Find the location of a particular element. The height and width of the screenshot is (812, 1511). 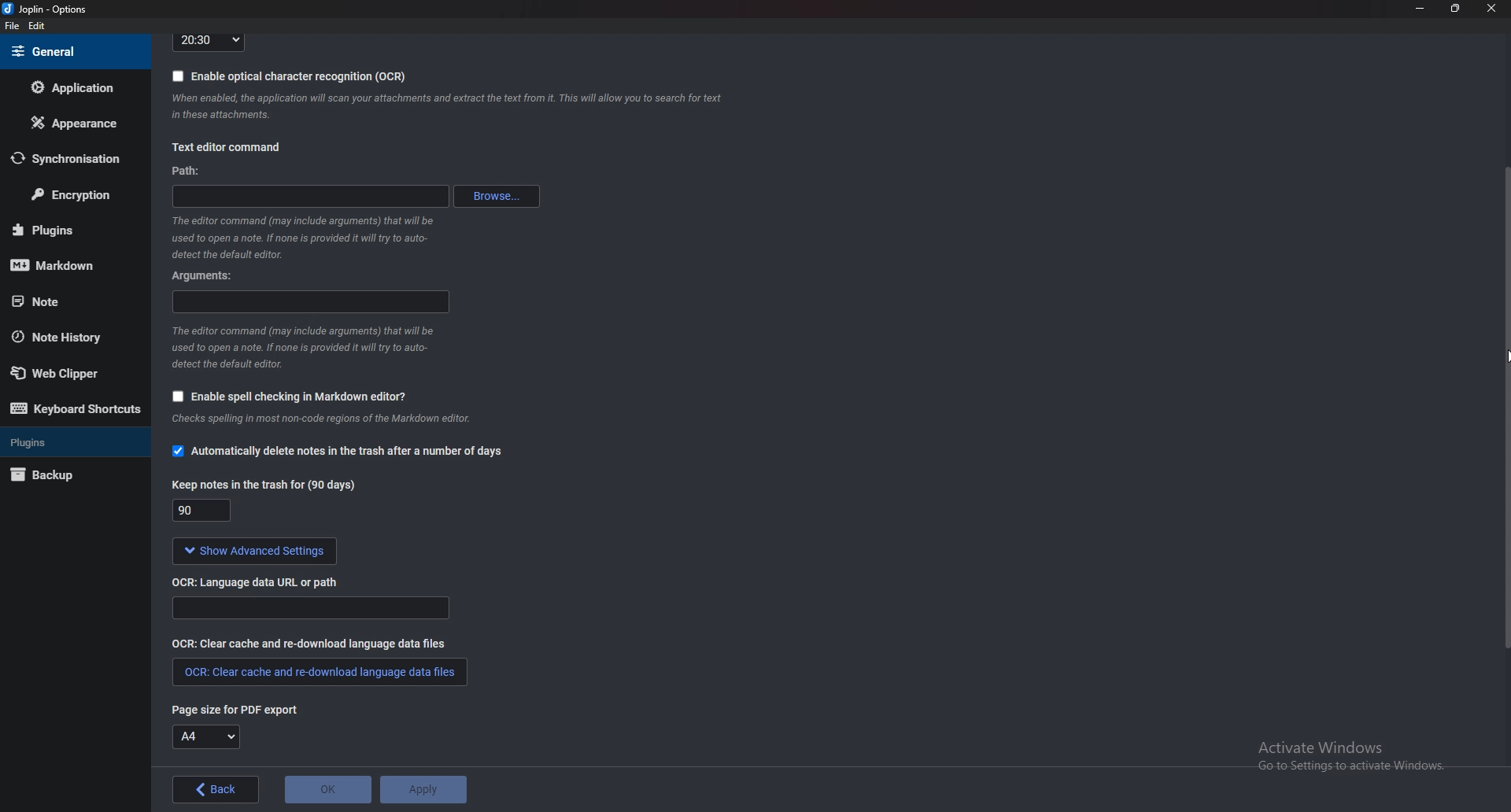

Info on editor command is located at coordinates (298, 237).